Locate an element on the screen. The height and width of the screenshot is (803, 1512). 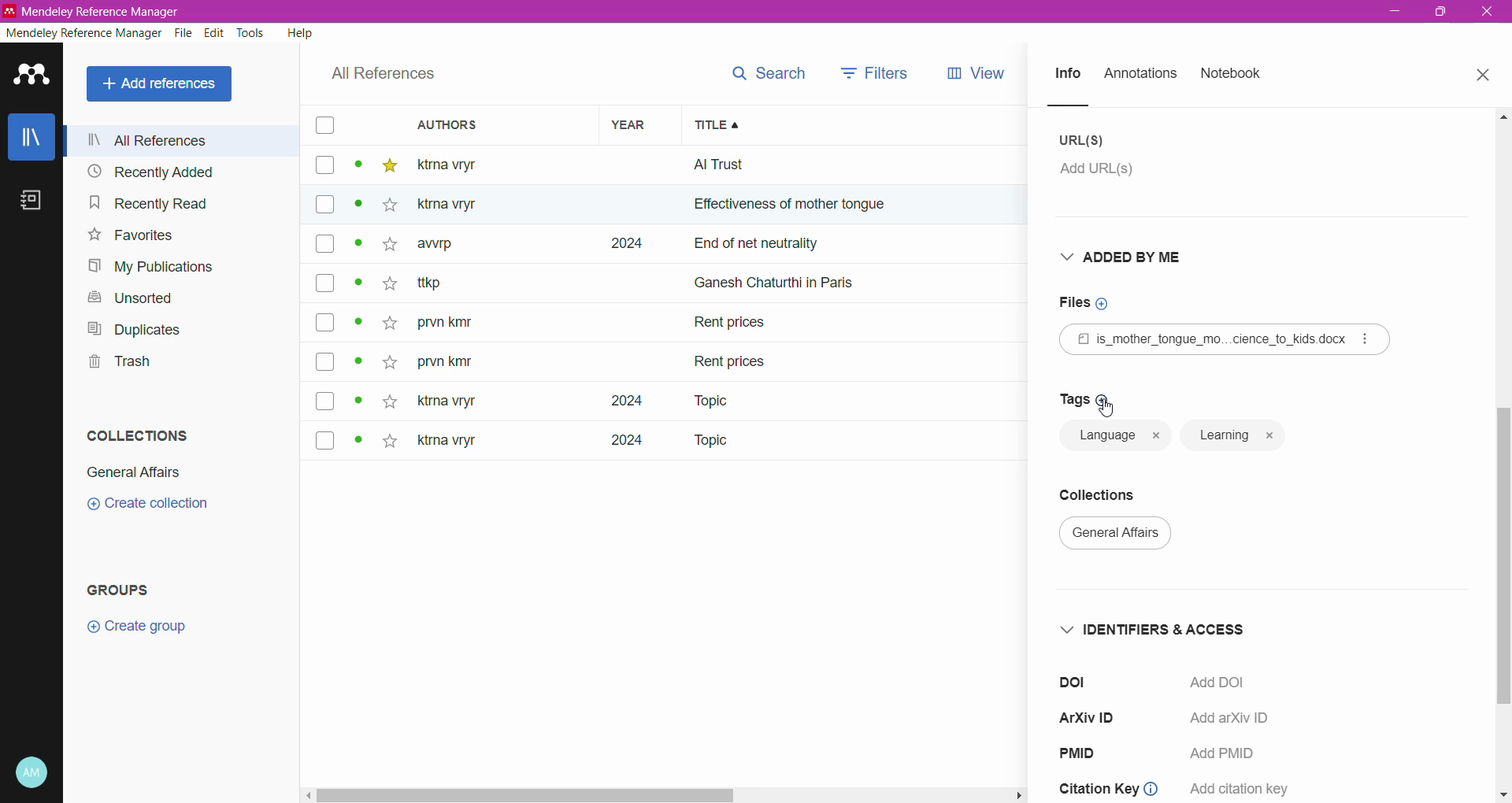
All References is located at coordinates (183, 140).